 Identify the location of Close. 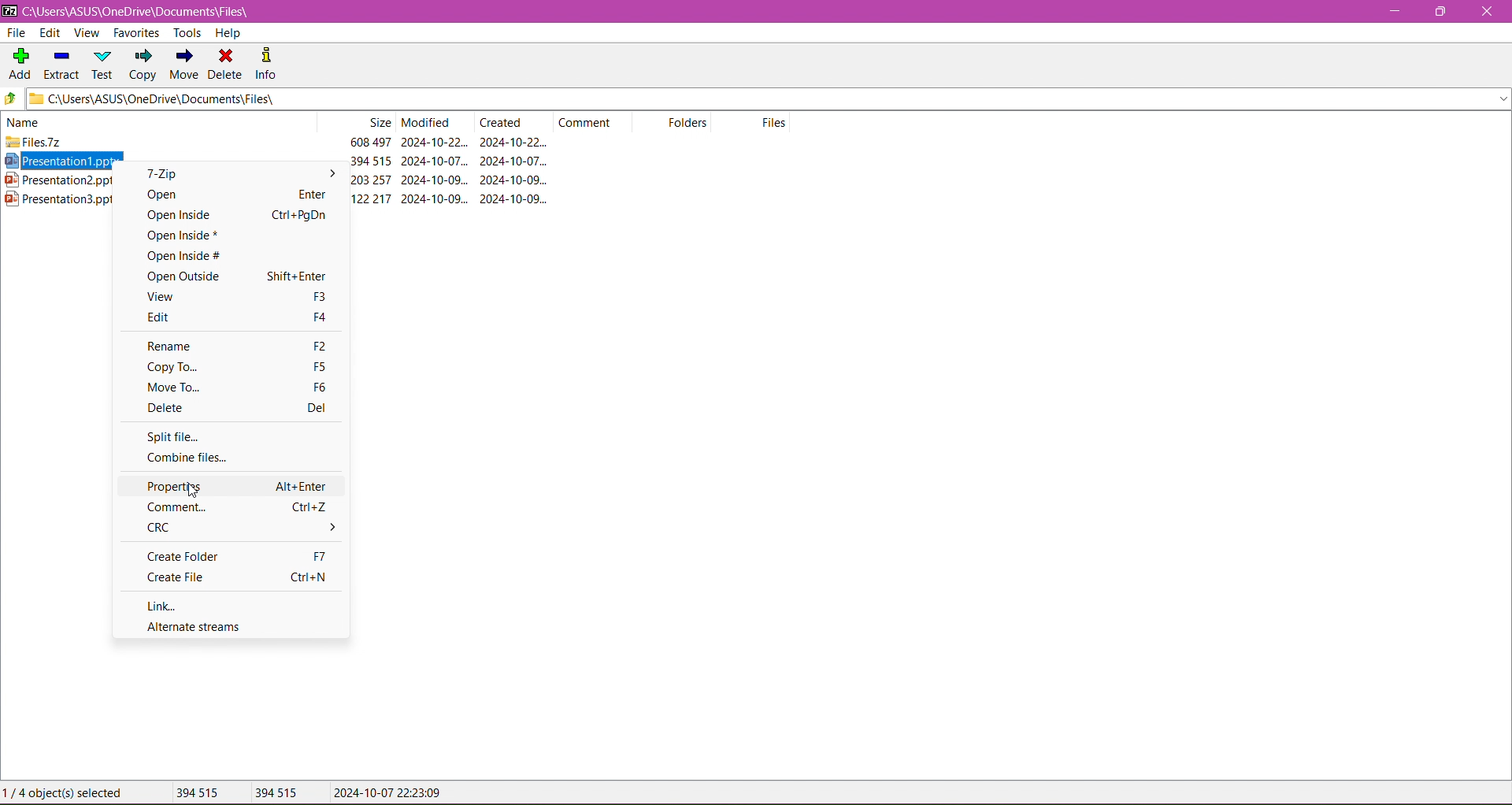
(1486, 14).